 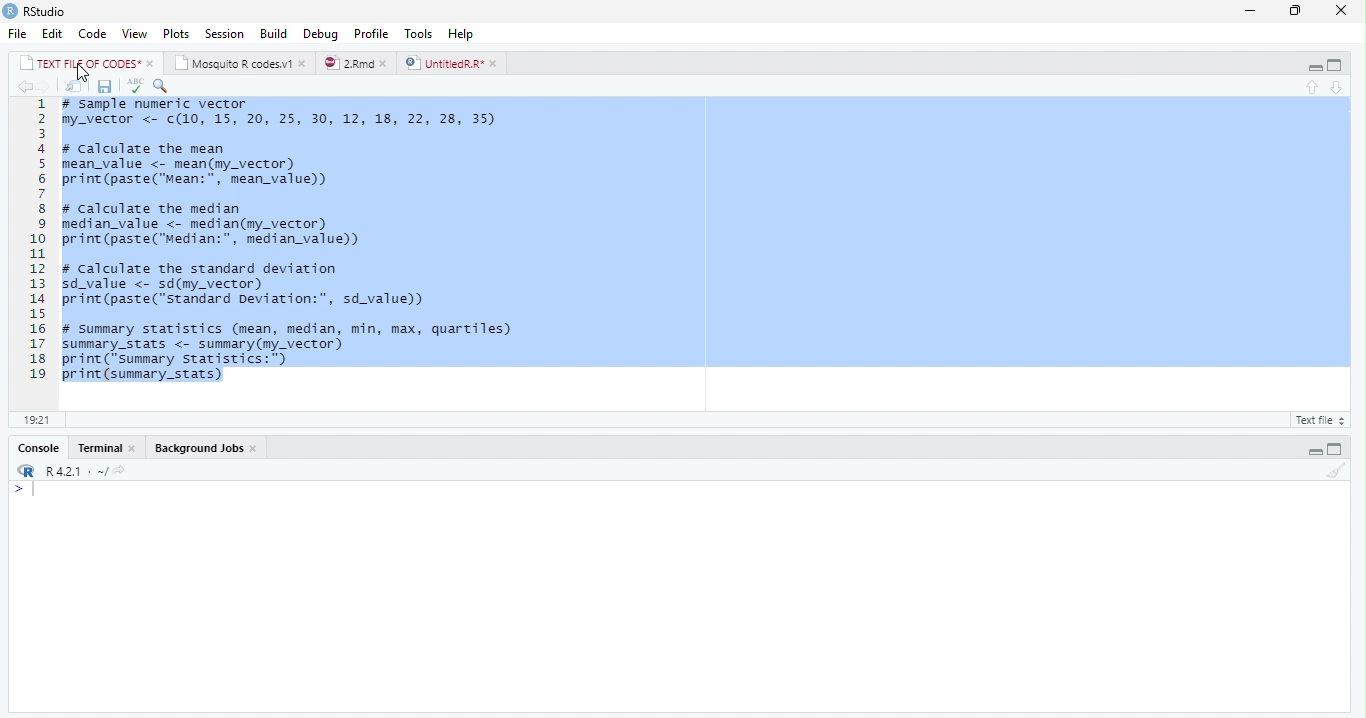 I want to click on cursor, so click(x=84, y=73).